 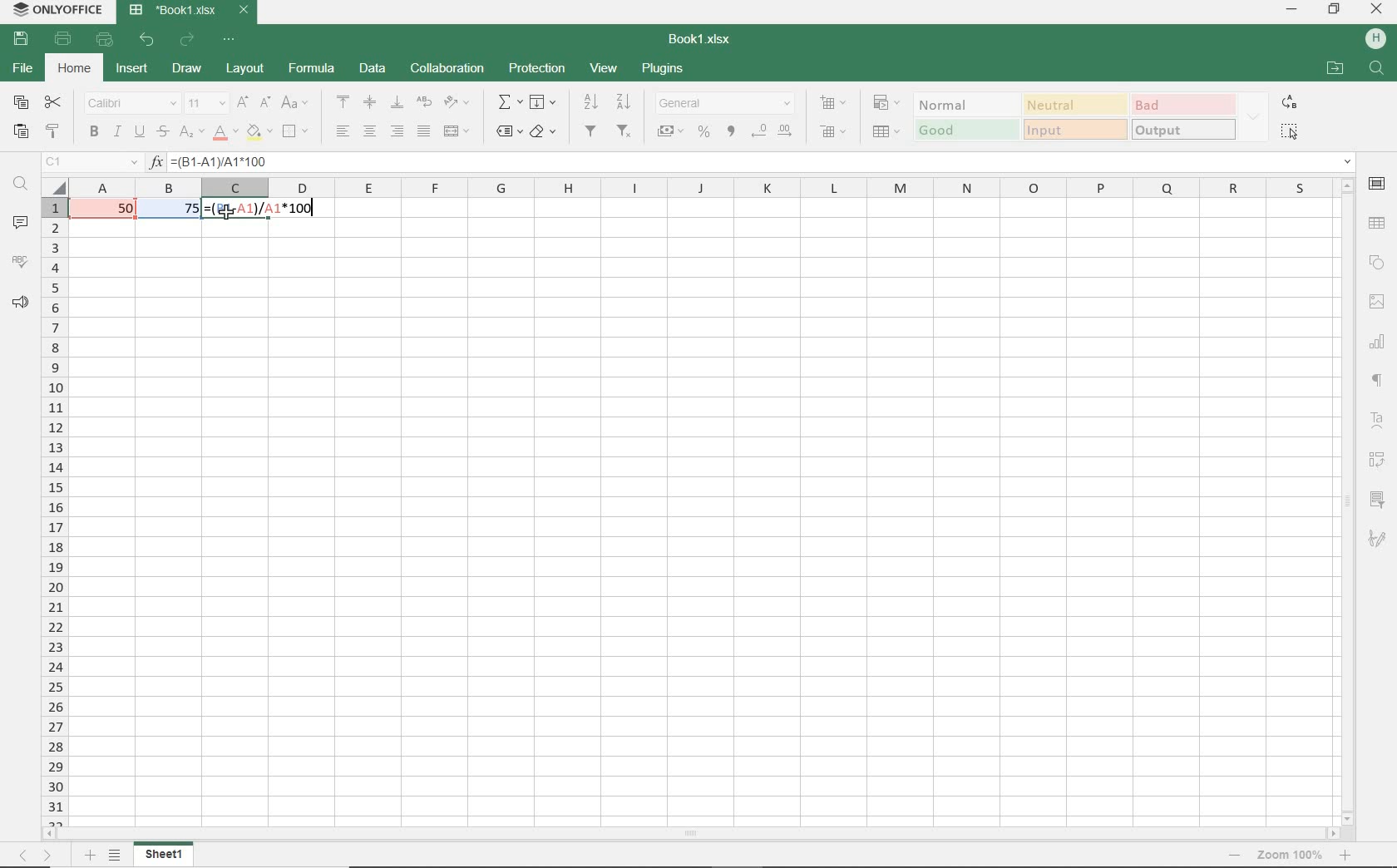 I want to click on delete cells, so click(x=886, y=133).